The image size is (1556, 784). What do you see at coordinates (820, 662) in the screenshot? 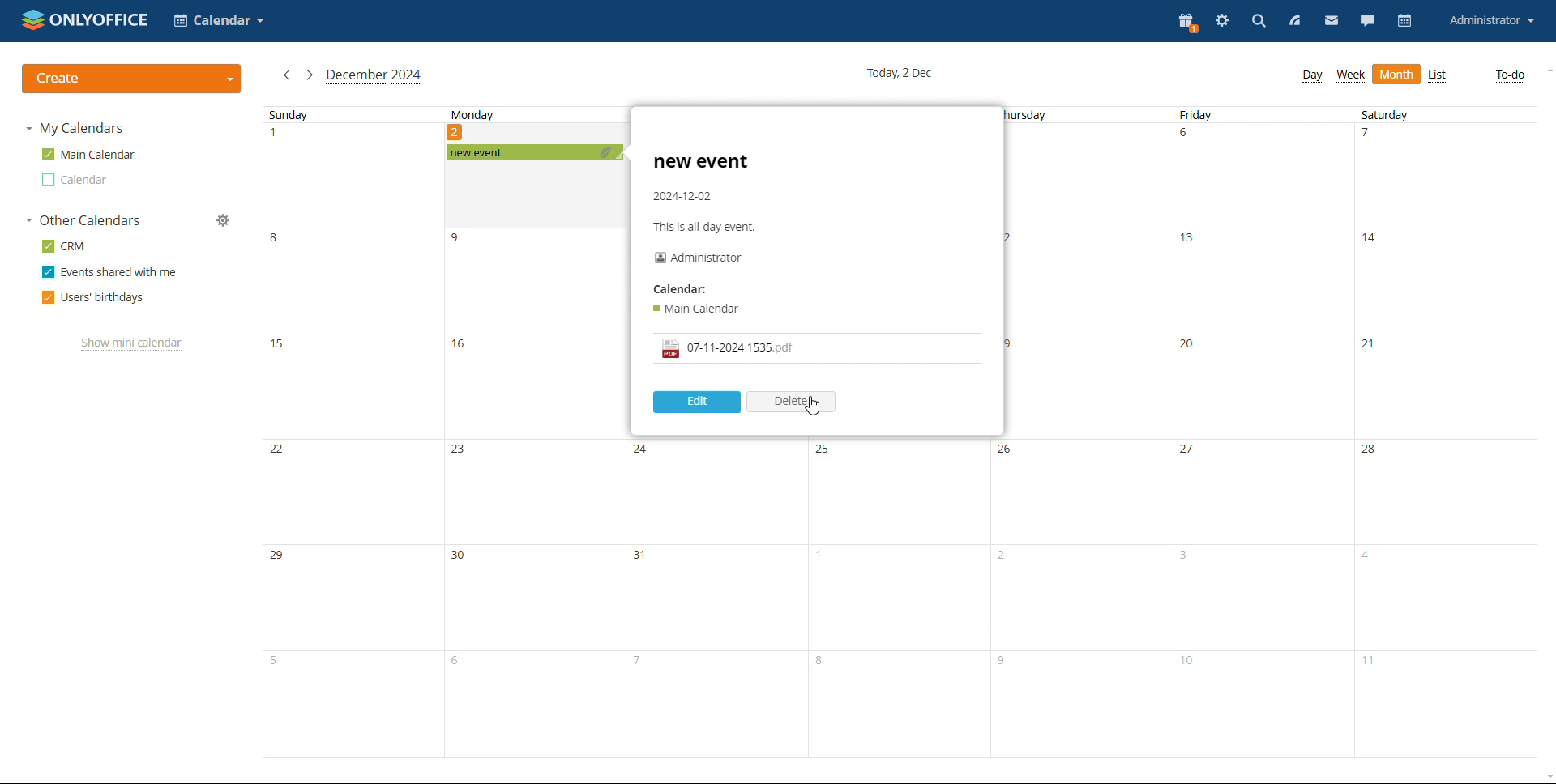
I see `8` at bounding box center [820, 662].